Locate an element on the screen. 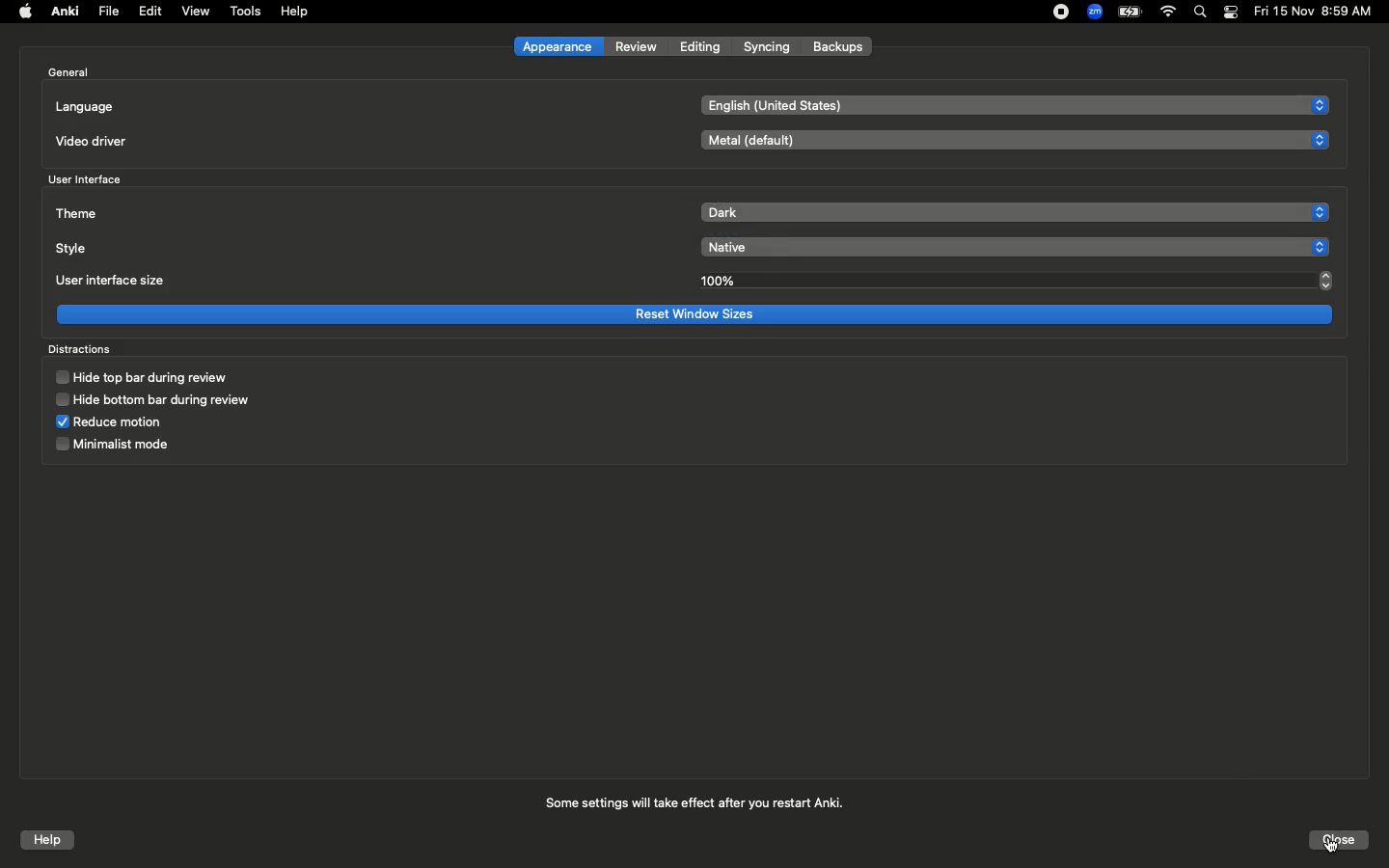 This screenshot has height=868, width=1389. Notification is located at coordinates (1231, 14).